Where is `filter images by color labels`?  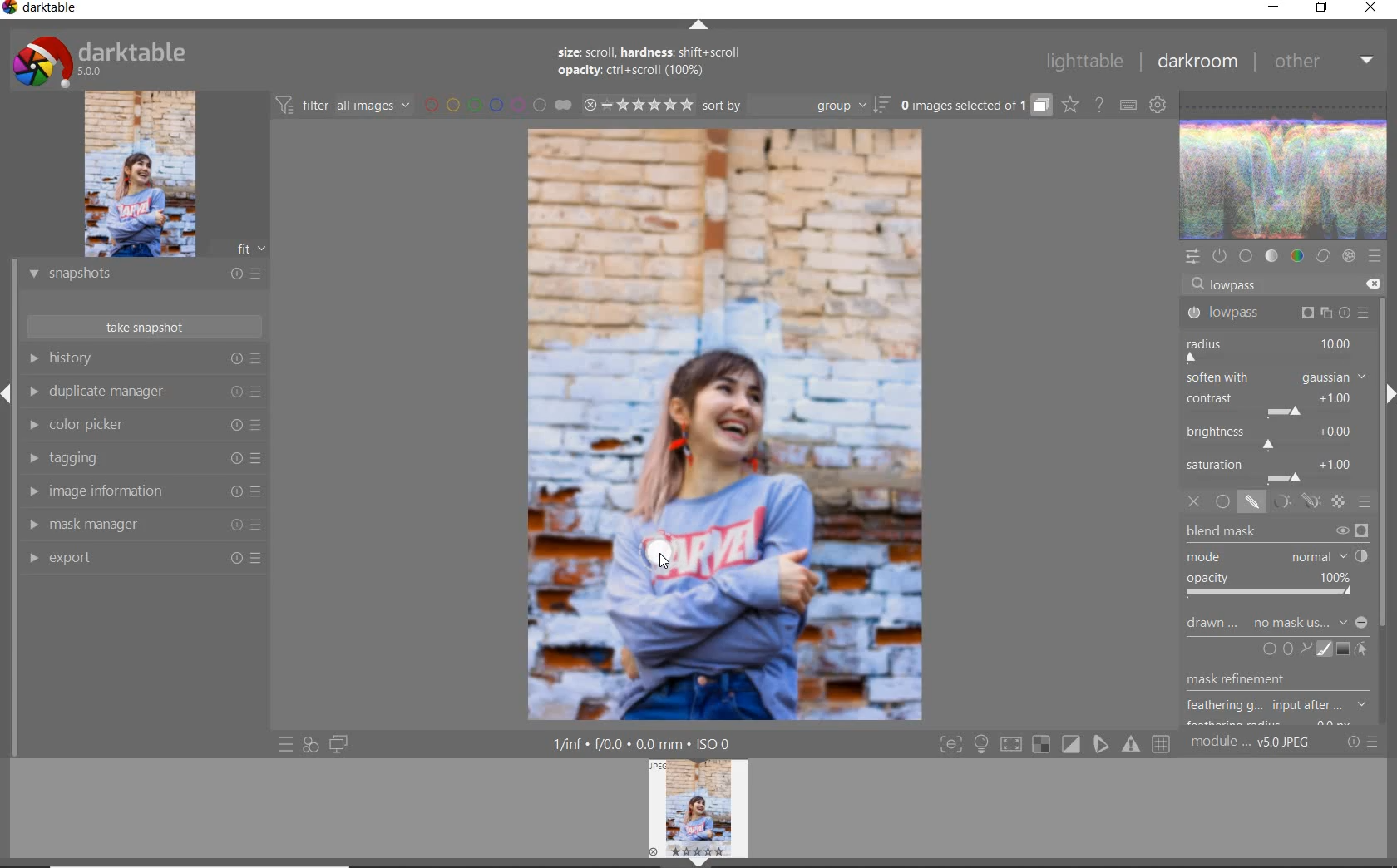
filter images by color labels is located at coordinates (497, 106).